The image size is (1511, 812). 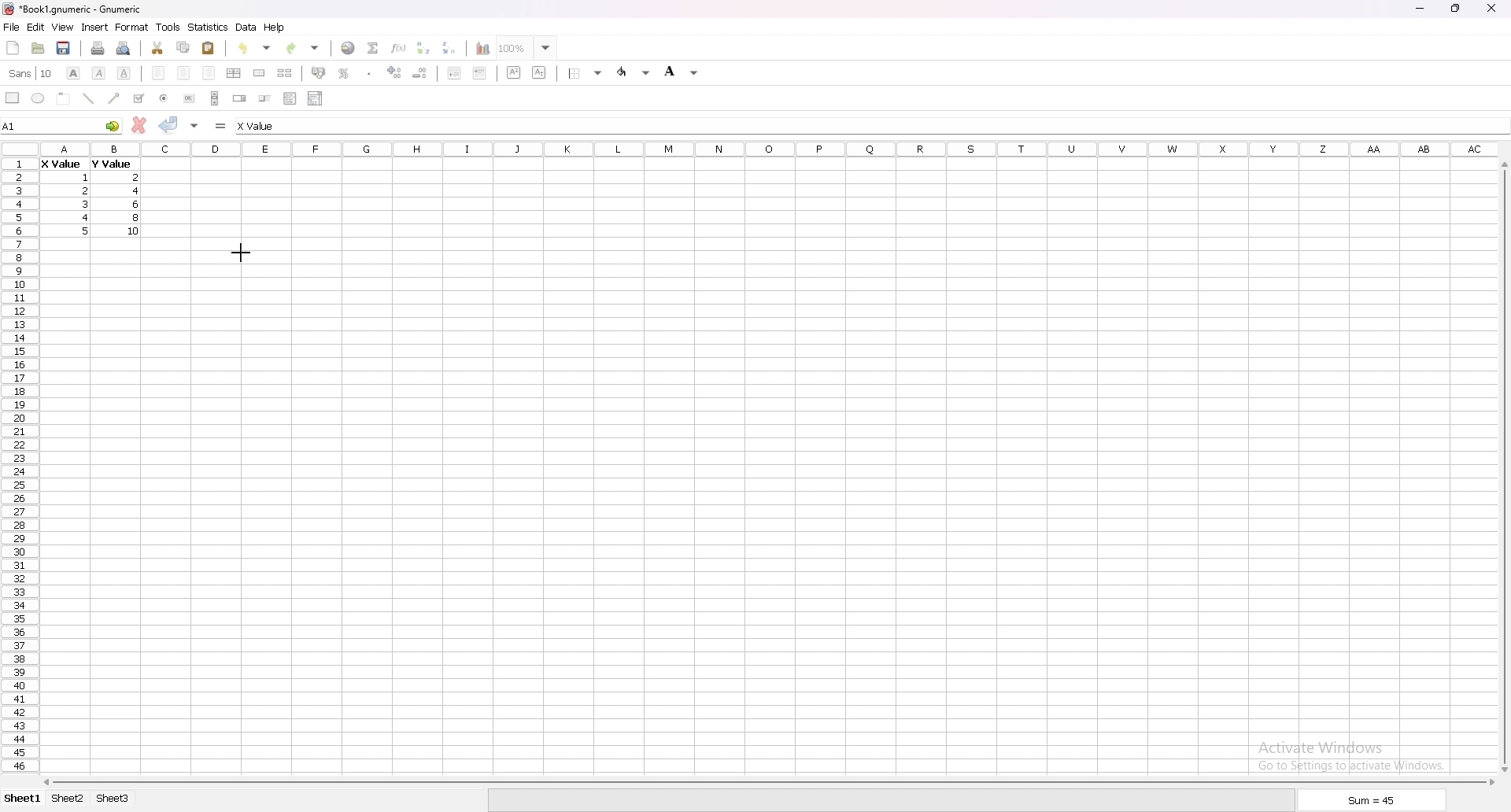 I want to click on cell input, so click(x=272, y=126).